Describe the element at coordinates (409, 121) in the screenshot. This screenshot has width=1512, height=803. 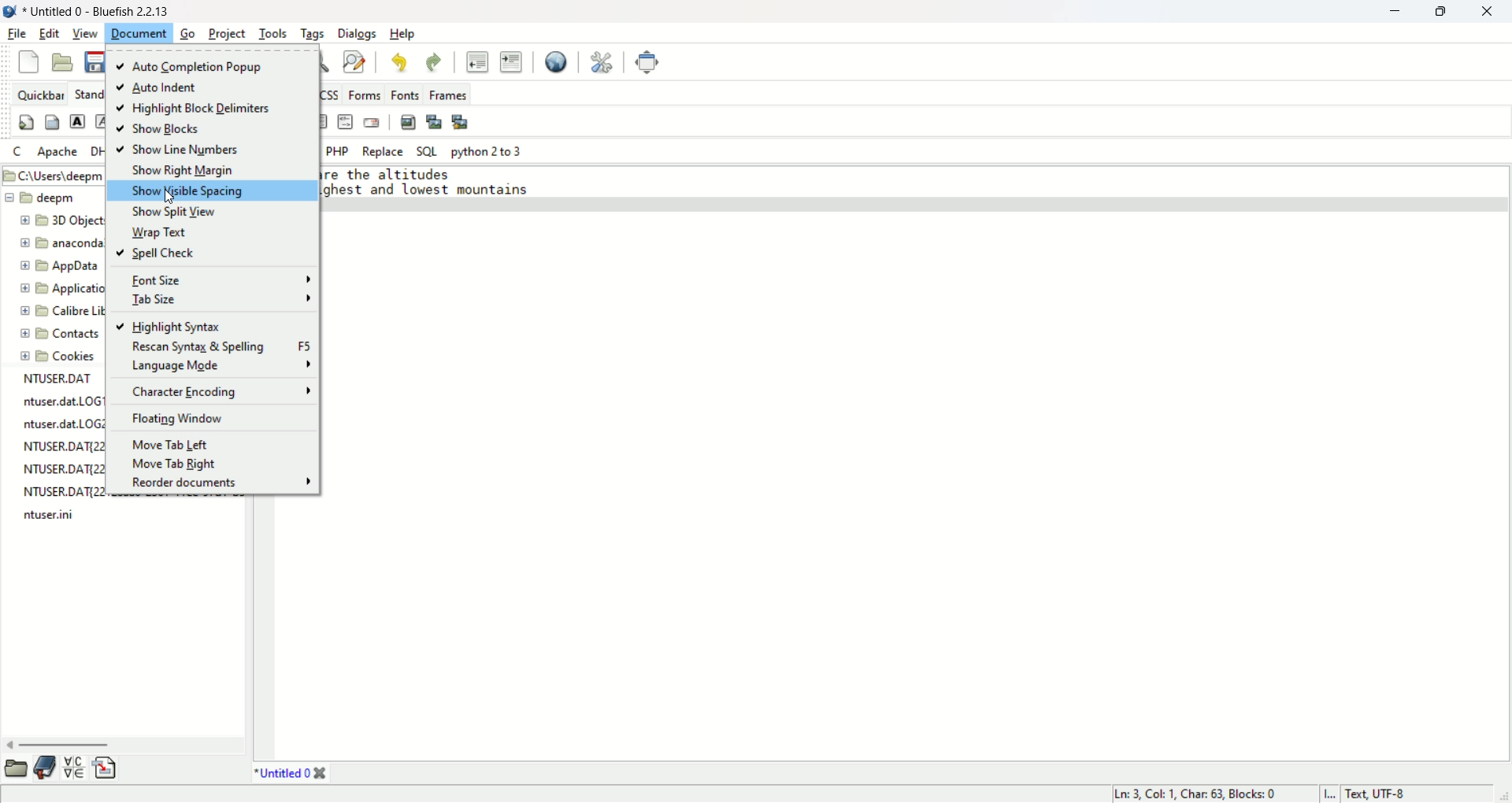
I see `insert images` at that location.